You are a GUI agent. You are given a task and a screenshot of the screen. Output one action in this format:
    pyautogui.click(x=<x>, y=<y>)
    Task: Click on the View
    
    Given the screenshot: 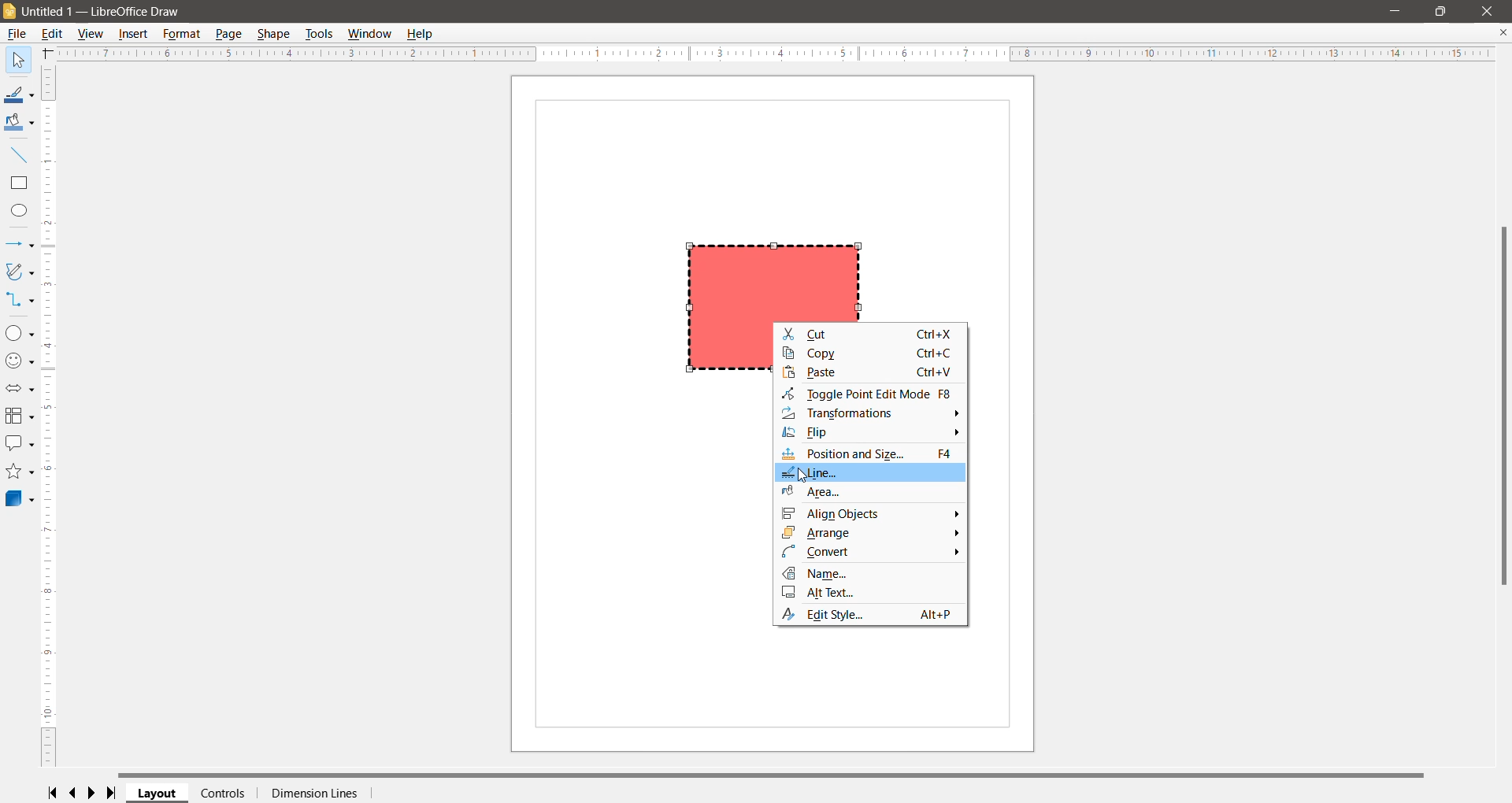 What is the action you would take?
    pyautogui.click(x=92, y=34)
    